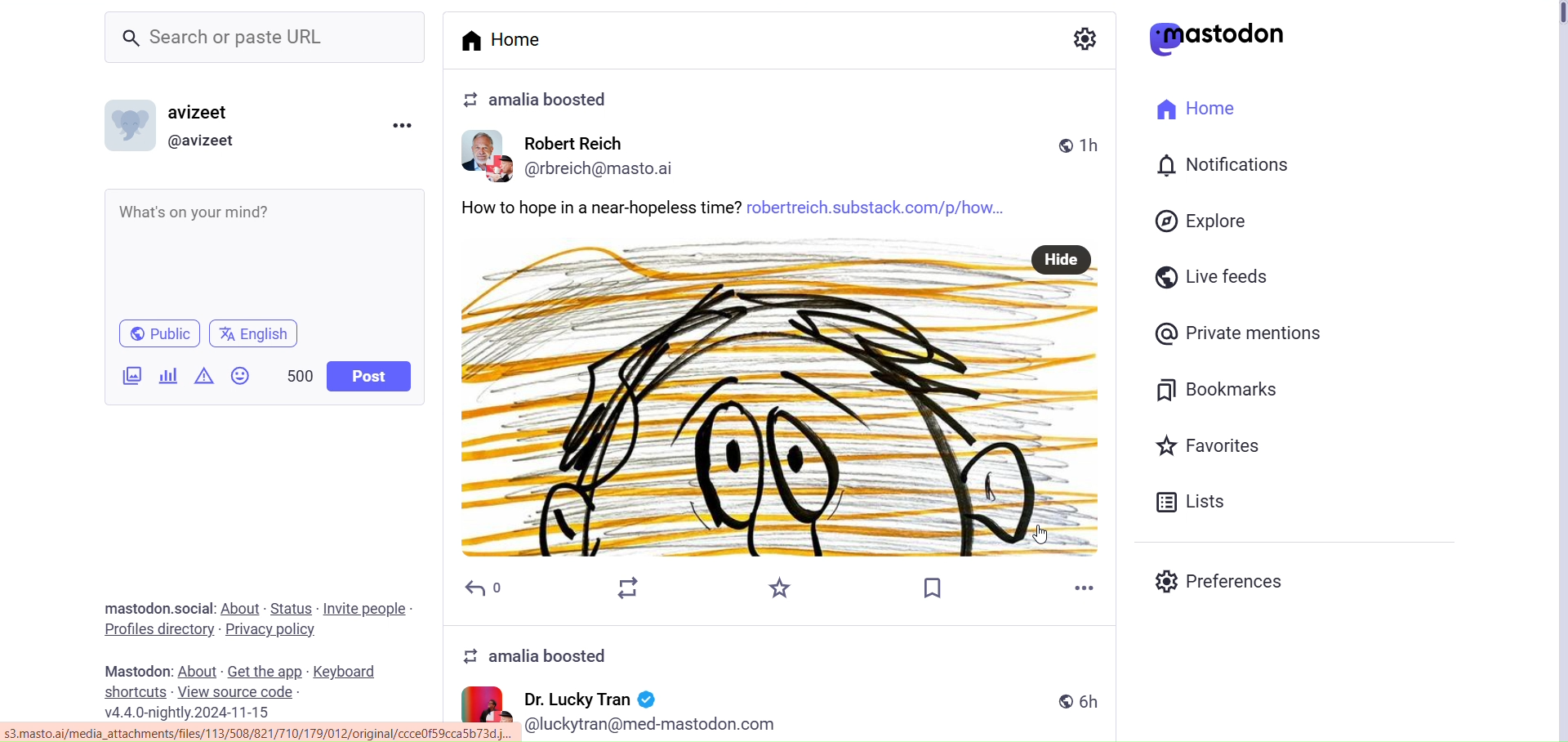 This screenshot has width=1568, height=742. What do you see at coordinates (369, 376) in the screenshot?
I see `Post` at bounding box center [369, 376].